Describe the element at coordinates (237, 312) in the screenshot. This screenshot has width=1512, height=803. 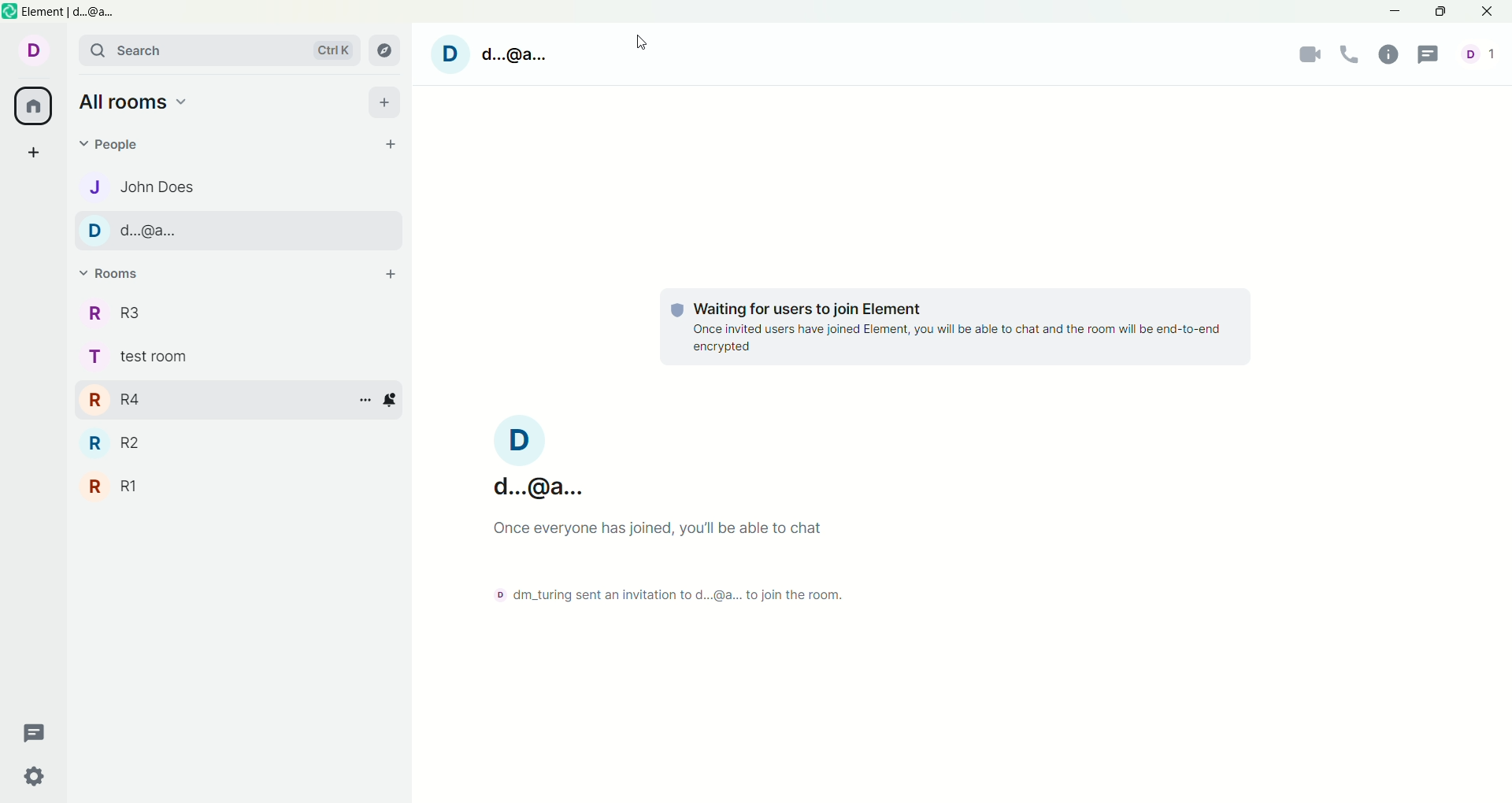
I see `R3 room` at that location.